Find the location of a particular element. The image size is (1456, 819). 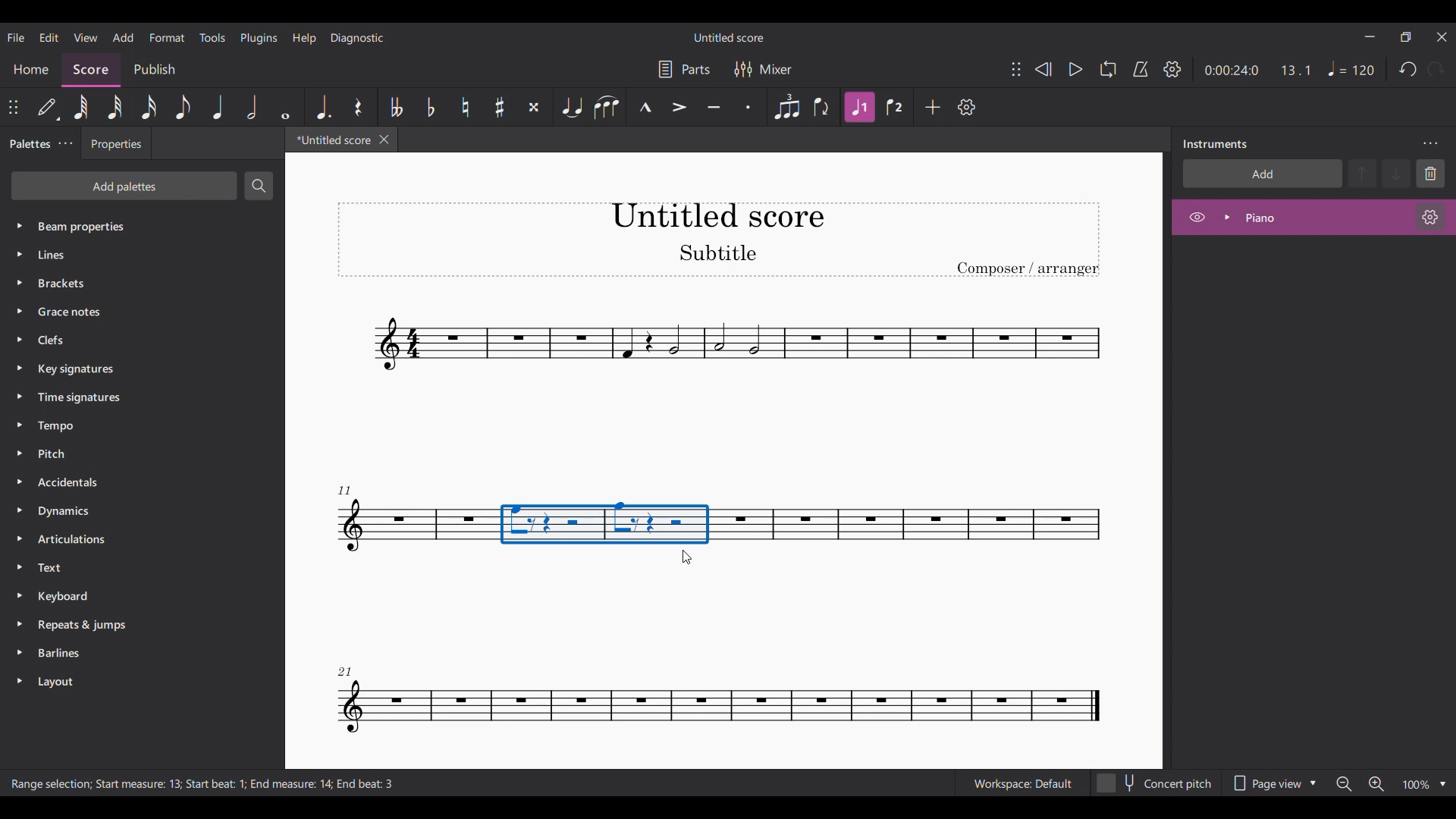

Grace notes is located at coordinates (141, 309).